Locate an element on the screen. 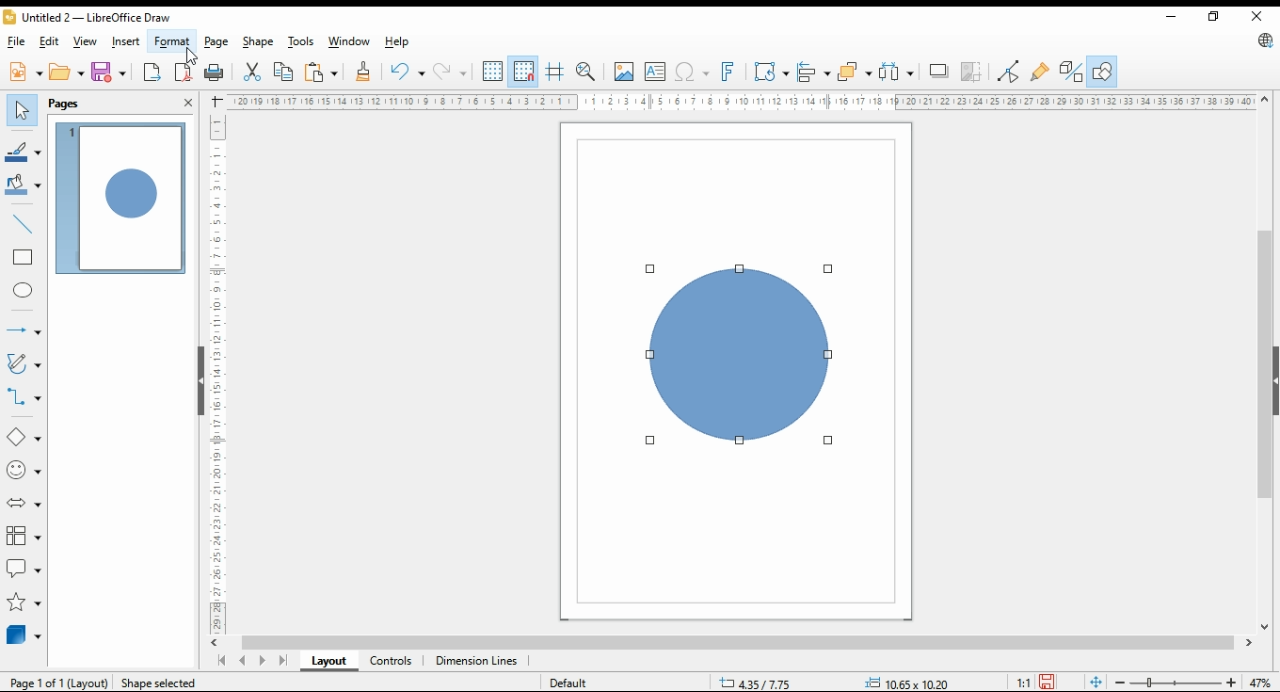  zoom and pan is located at coordinates (586, 72).